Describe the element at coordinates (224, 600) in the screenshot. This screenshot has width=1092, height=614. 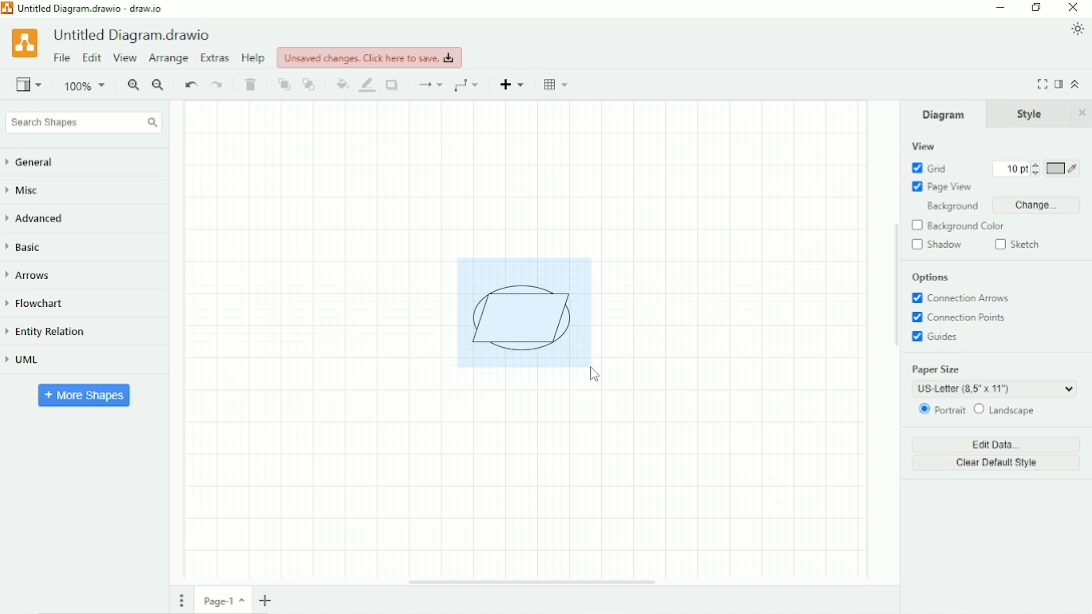
I see `Current page` at that location.